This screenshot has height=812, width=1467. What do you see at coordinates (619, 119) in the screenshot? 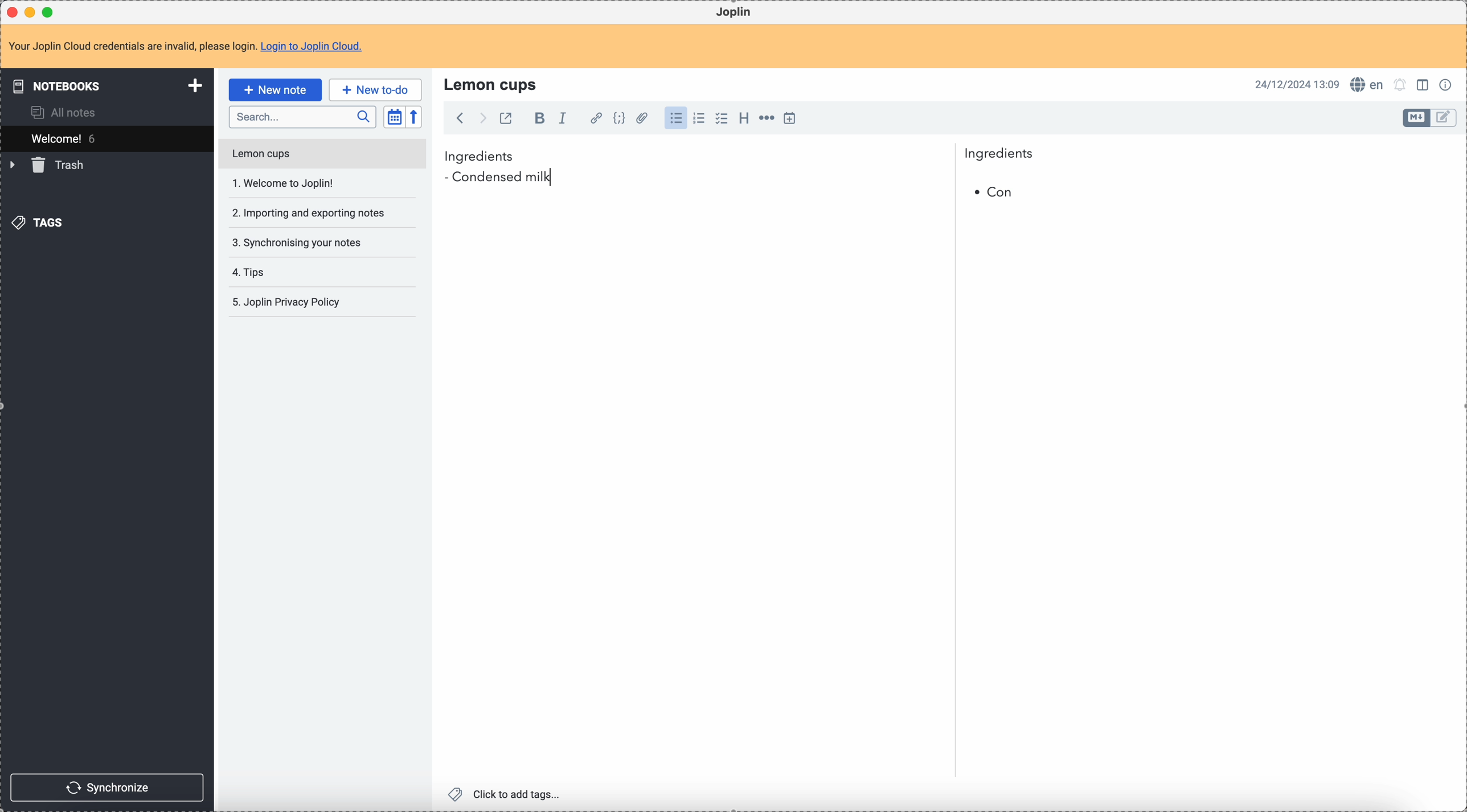
I see `code` at bounding box center [619, 119].